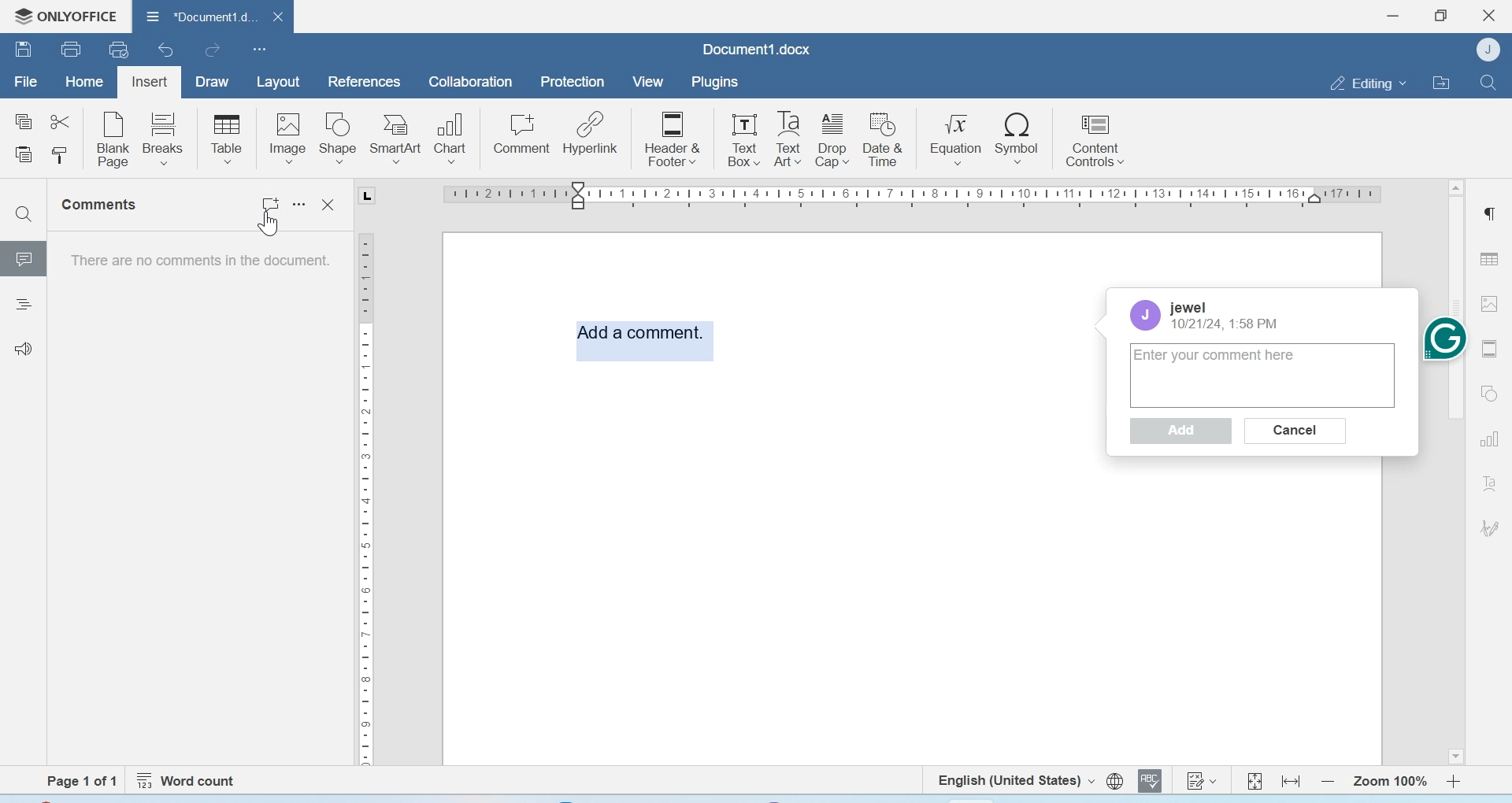 The width and height of the screenshot is (1512, 803). Describe the element at coordinates (1491, 16) in the screenshot. I see `Close` at that location.